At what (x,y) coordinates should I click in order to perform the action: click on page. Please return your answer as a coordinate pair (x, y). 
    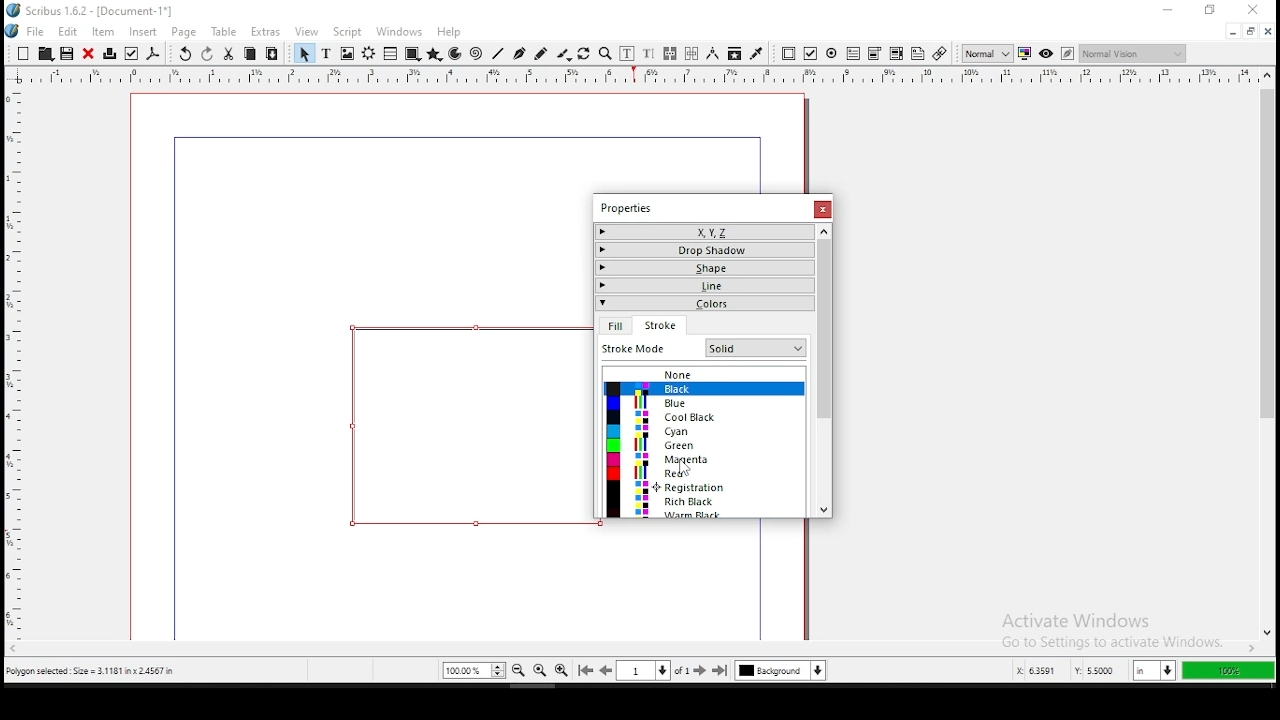
    Looking at the image, I should click on (183, 32).